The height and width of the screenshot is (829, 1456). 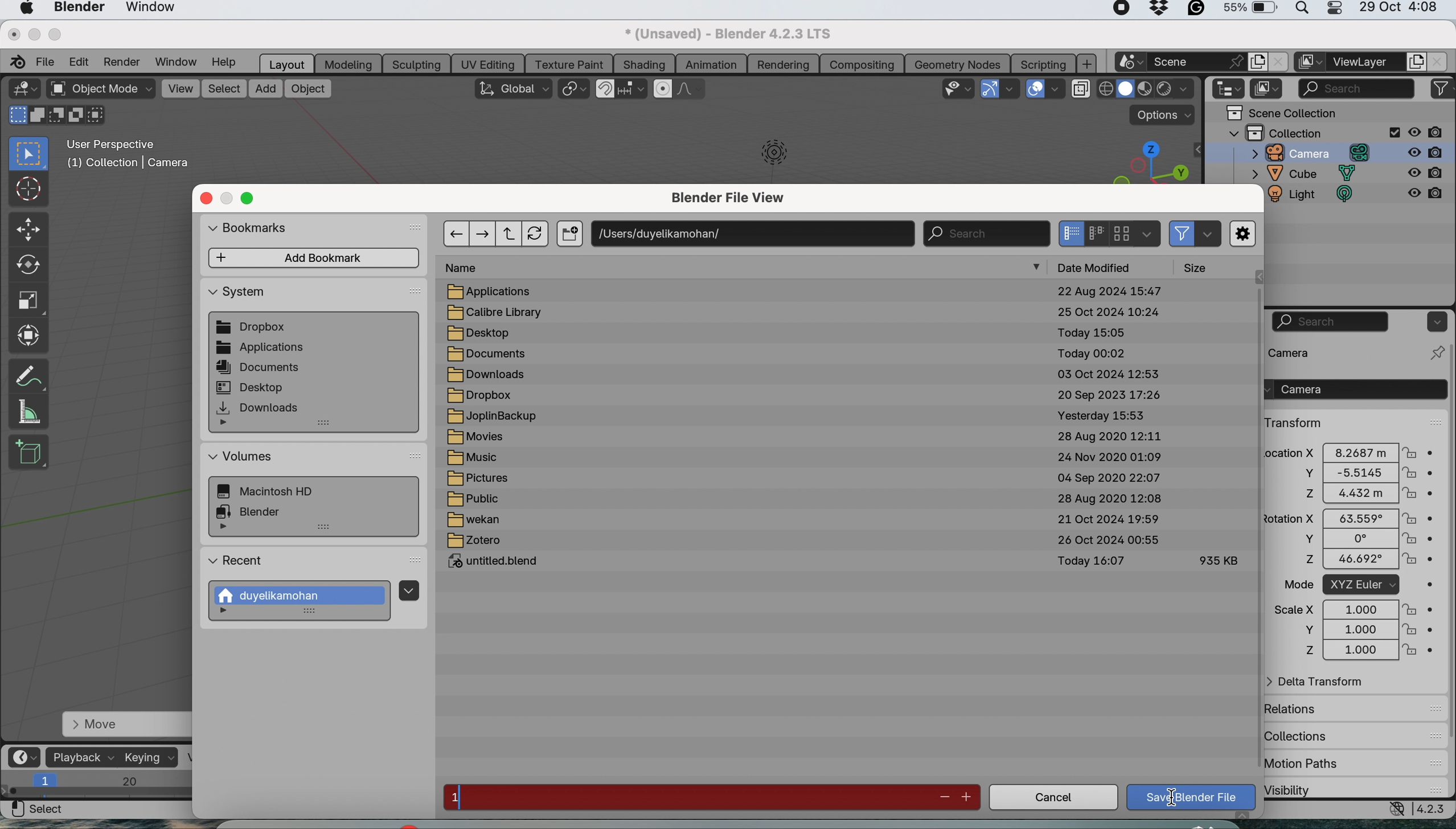 What do you see at coordinates (408, 589) in the screenshot?
I see `menu` at bounding box center [408, 589].